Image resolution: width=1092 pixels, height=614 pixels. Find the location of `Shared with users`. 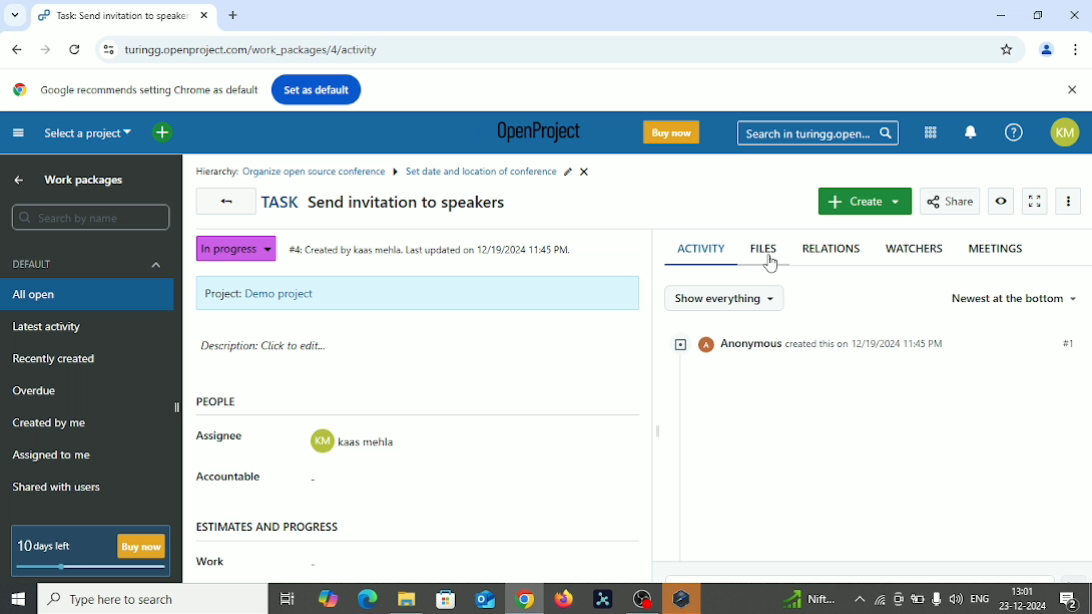

Shared with users is located at coordinates (58, 489).